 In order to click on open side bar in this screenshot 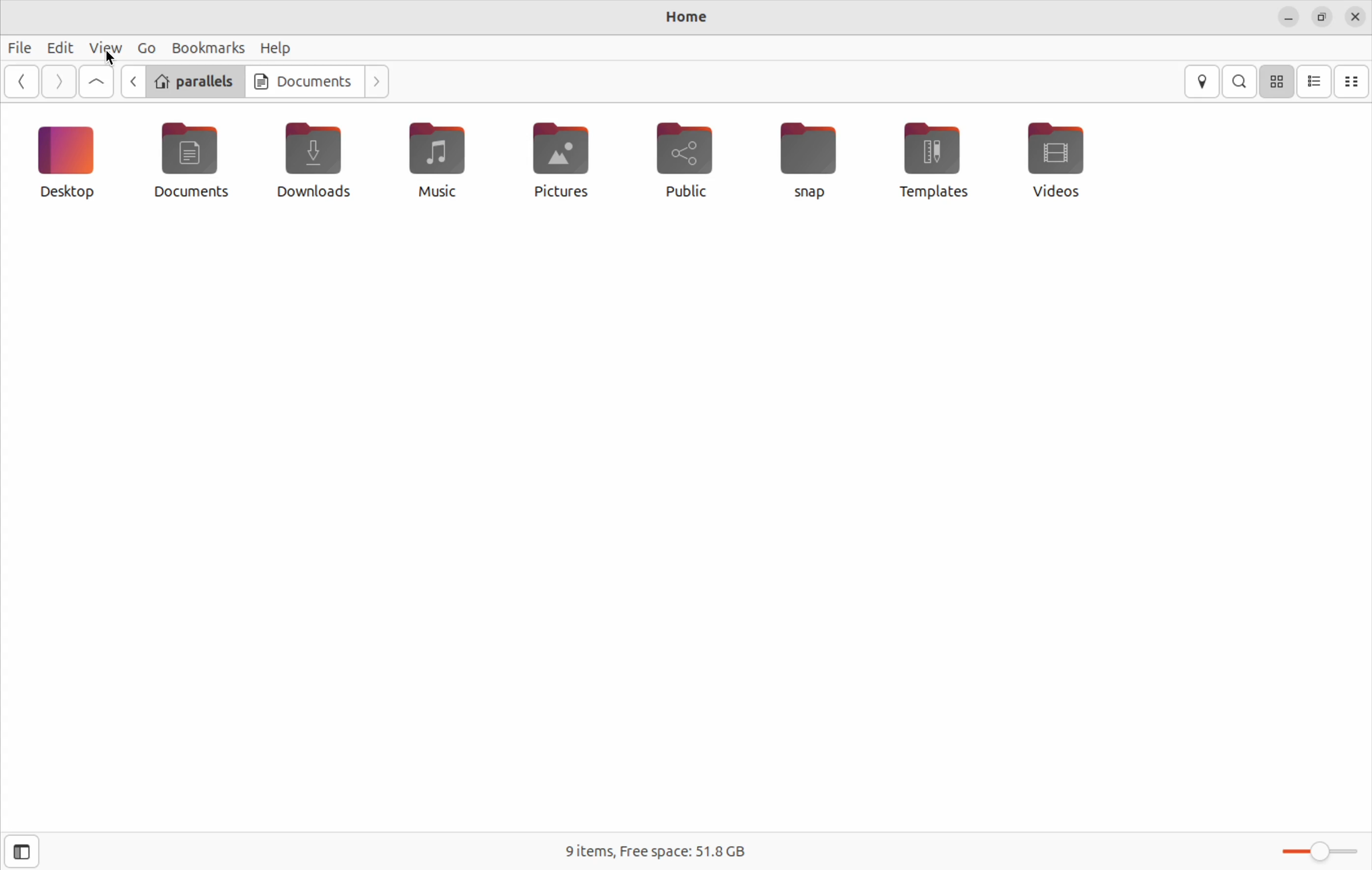, I will do `click(25, 850)`.